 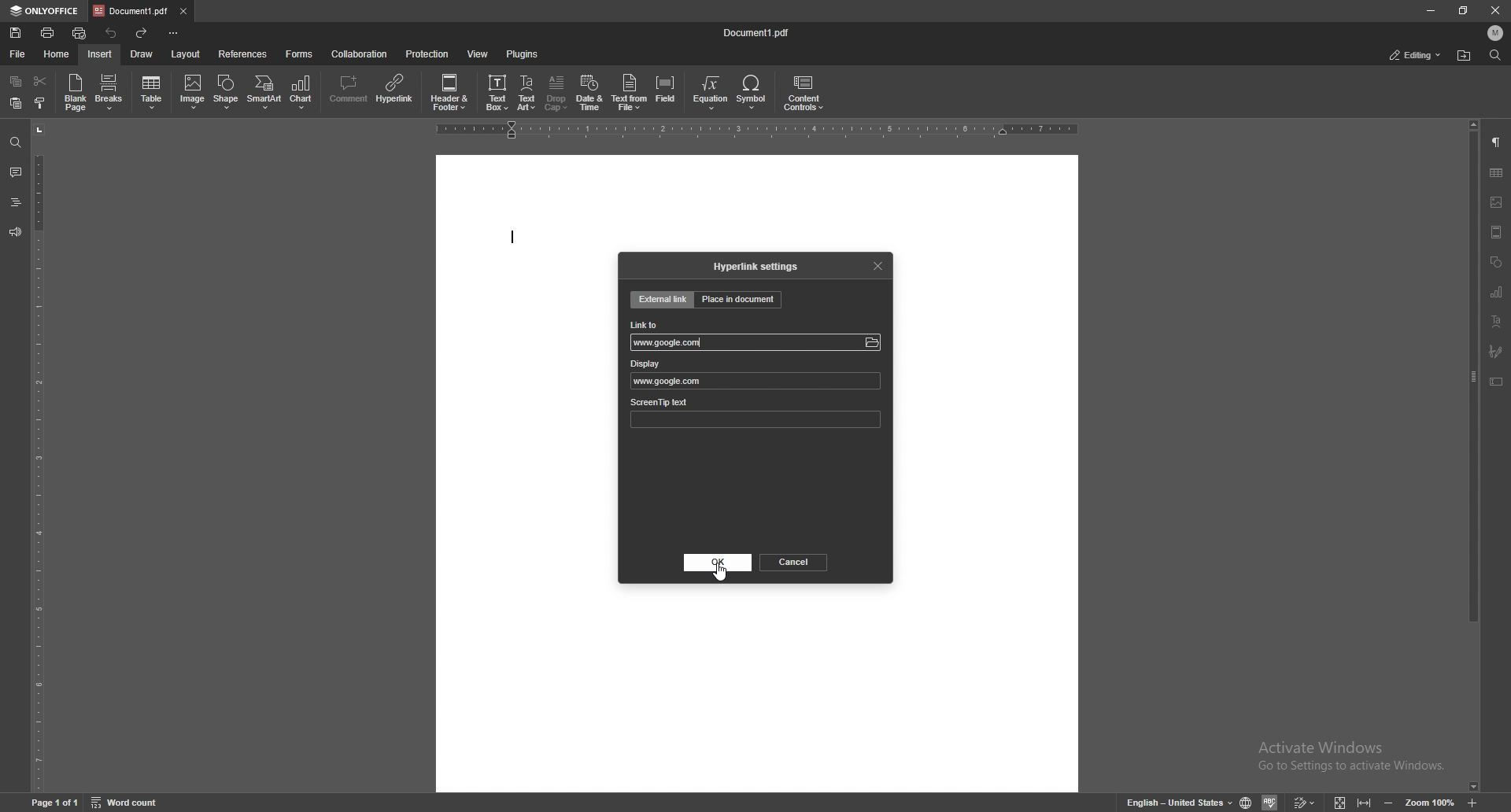 What do you see at coordinates (17, 54) in the screenshot?
I see `file` at bounding box center [17, 54].